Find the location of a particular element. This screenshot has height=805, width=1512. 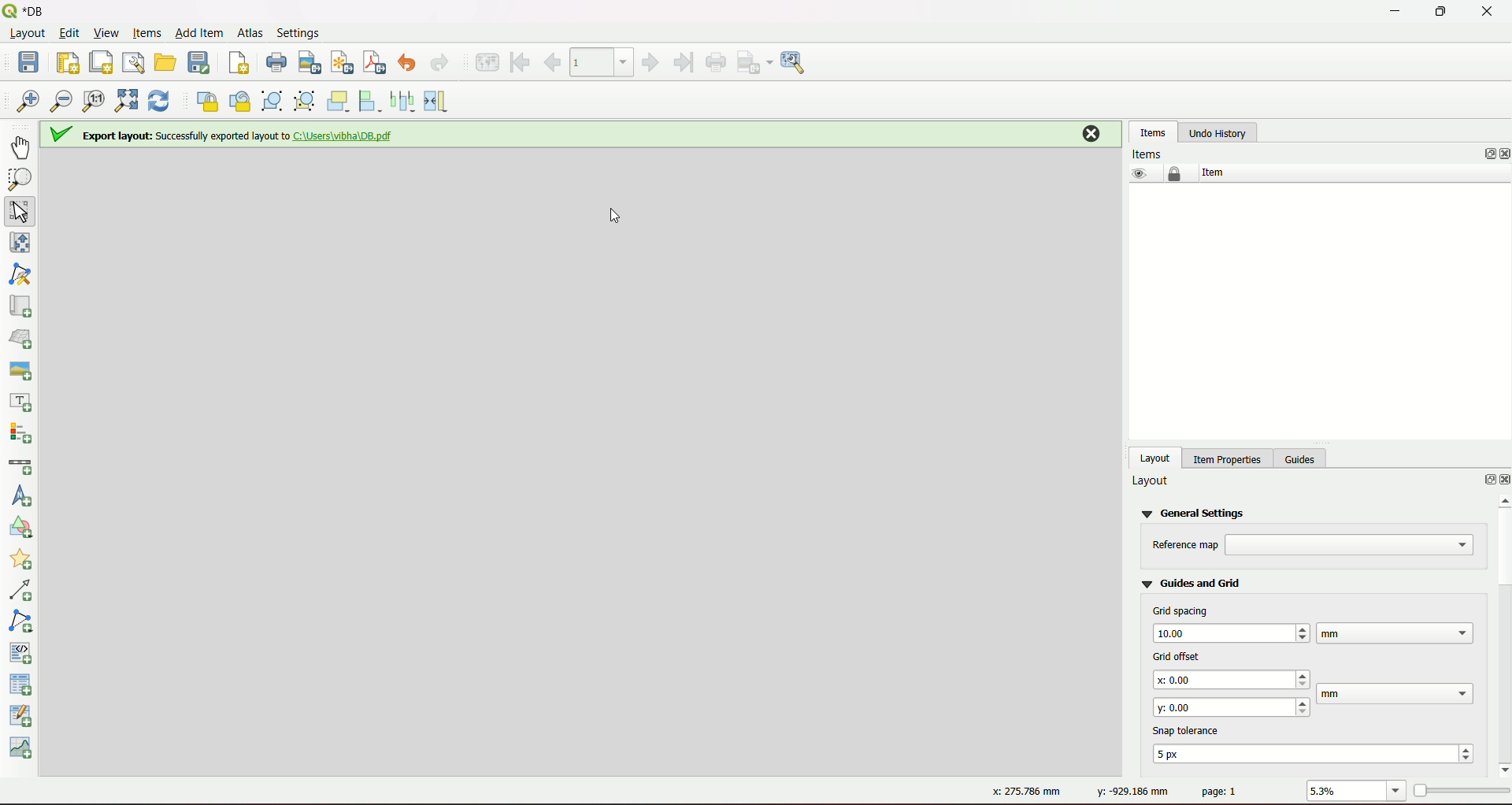

add north arrow is located at coordinates (24, 497).